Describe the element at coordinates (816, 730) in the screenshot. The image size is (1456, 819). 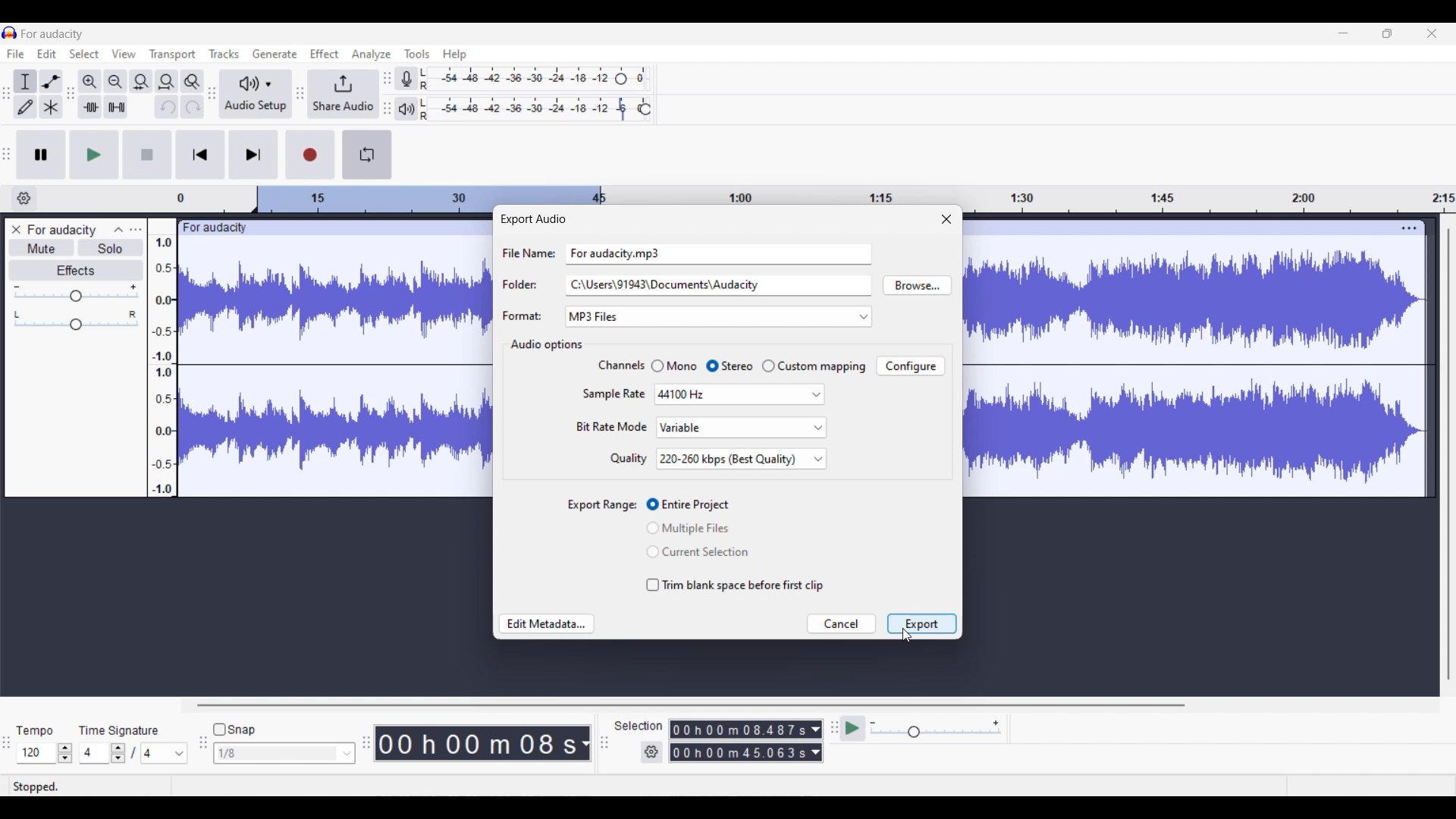
I see `Duration measurement` at that location.